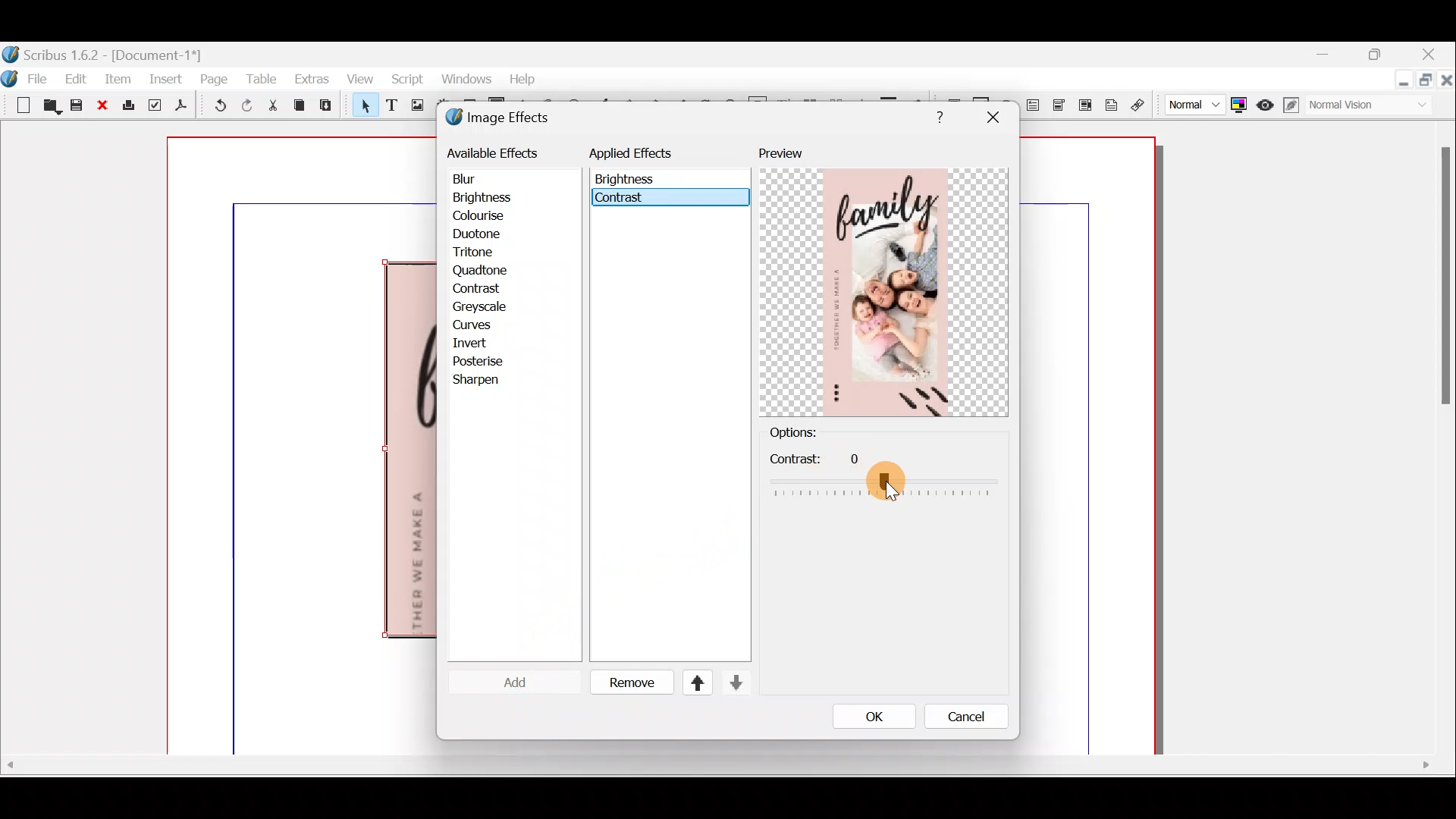 This screenshot has width=1456, height=819. Describe the element at coordinates (883, 281) in the screenshot. I see `Preview` at that location.